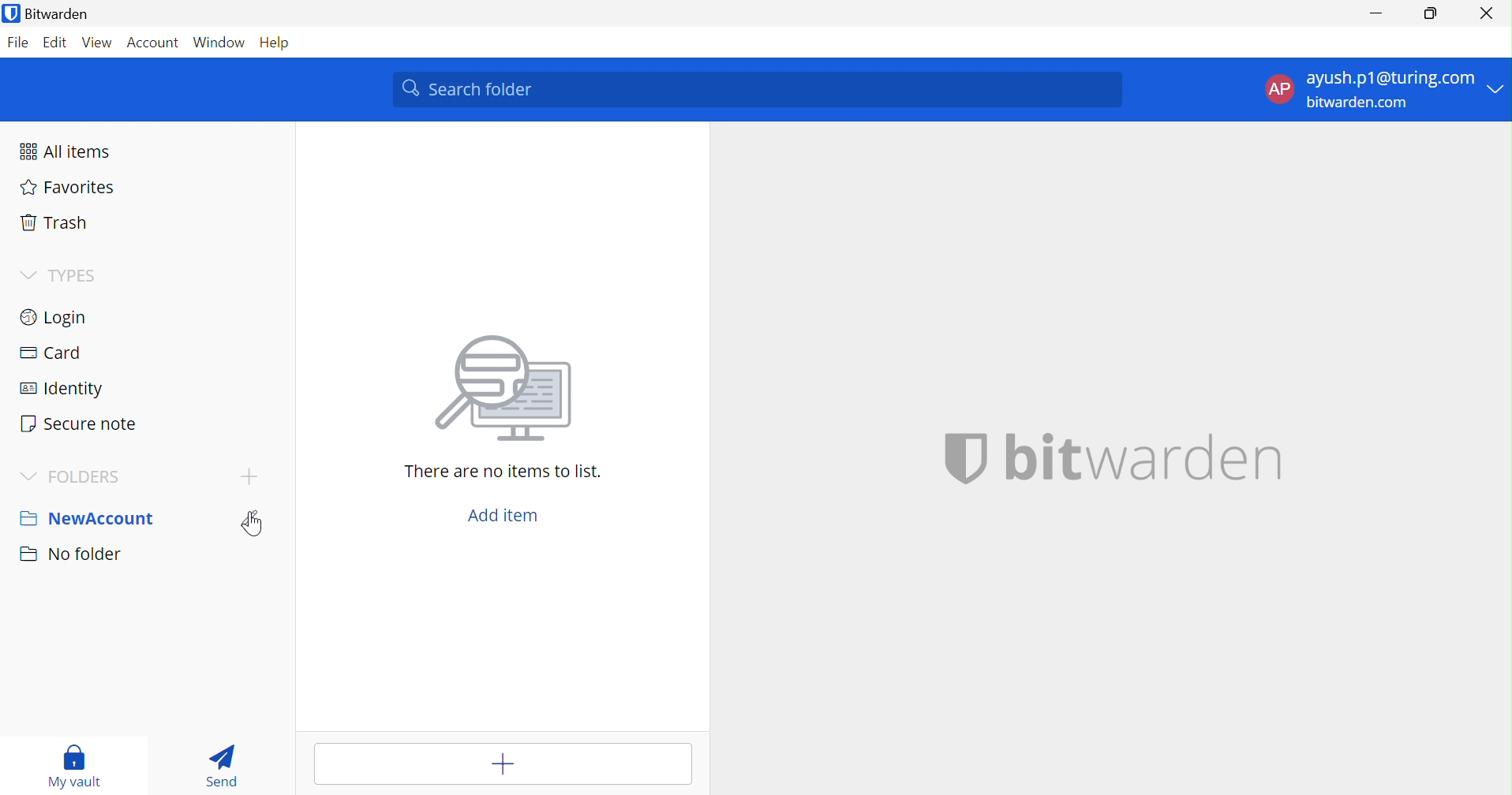 This screenshot has width=1512, height=795. Describe the element at coordinates (256, 518) in the screenshot. I see `Edit` at that location.